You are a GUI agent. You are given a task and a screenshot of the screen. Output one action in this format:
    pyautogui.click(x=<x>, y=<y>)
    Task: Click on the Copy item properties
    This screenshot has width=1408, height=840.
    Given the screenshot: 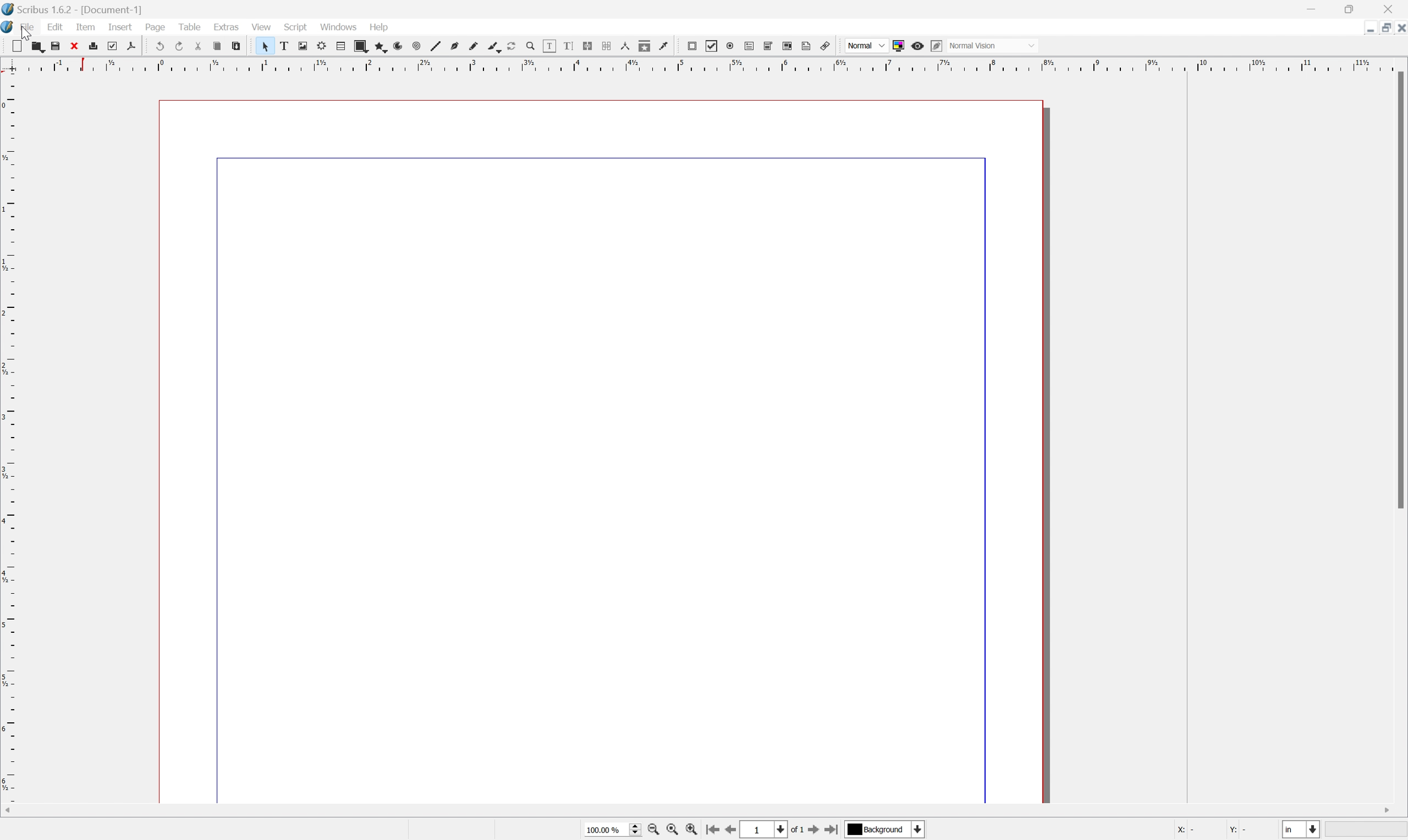 What is the action you would take?
    pyautogui.click(x=645, y=46)
    